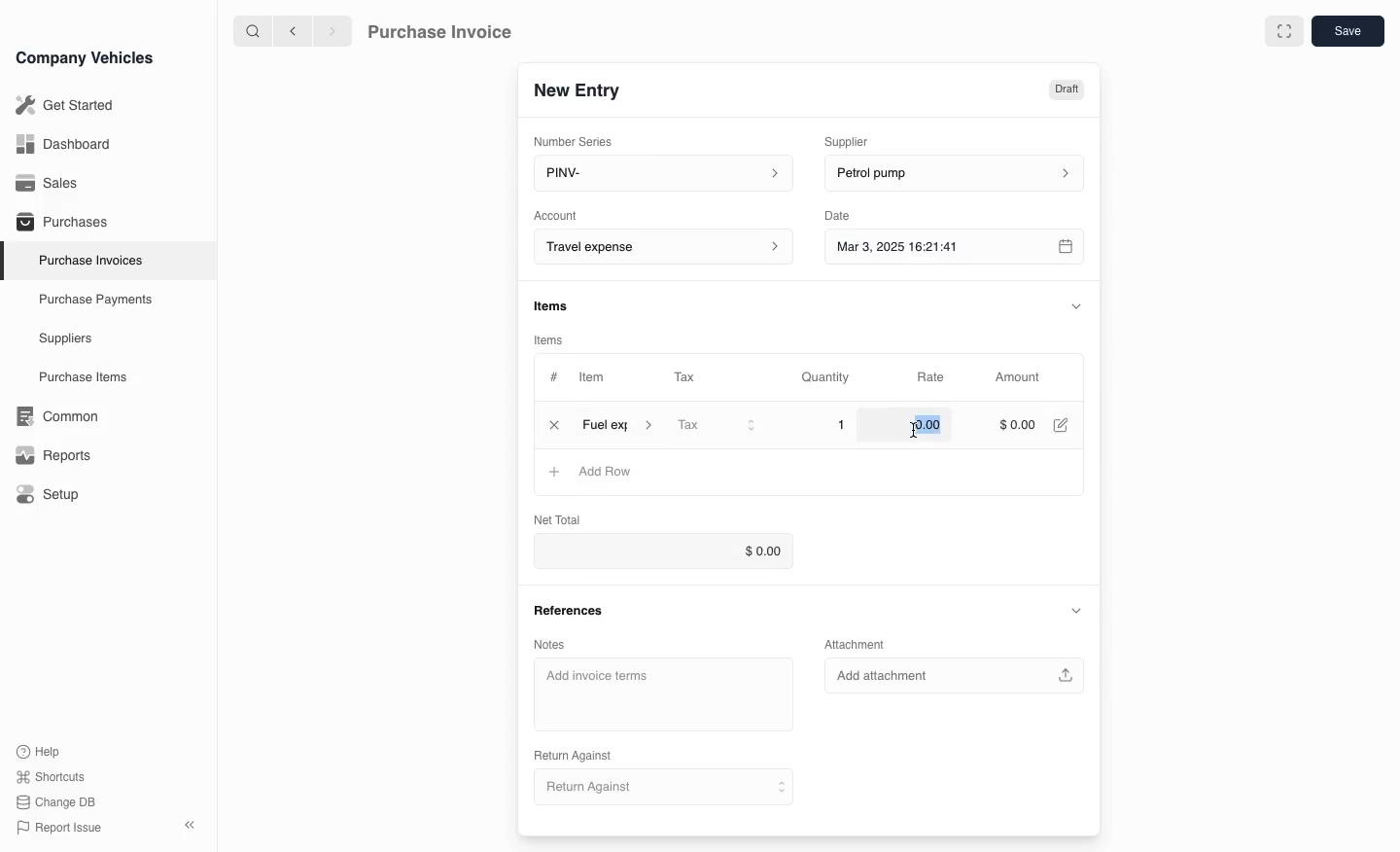 This screenshot has width=1400, height=852. Describe the element at coordinates (1075, 611) in the screenshot. I see `collapse` at that location.